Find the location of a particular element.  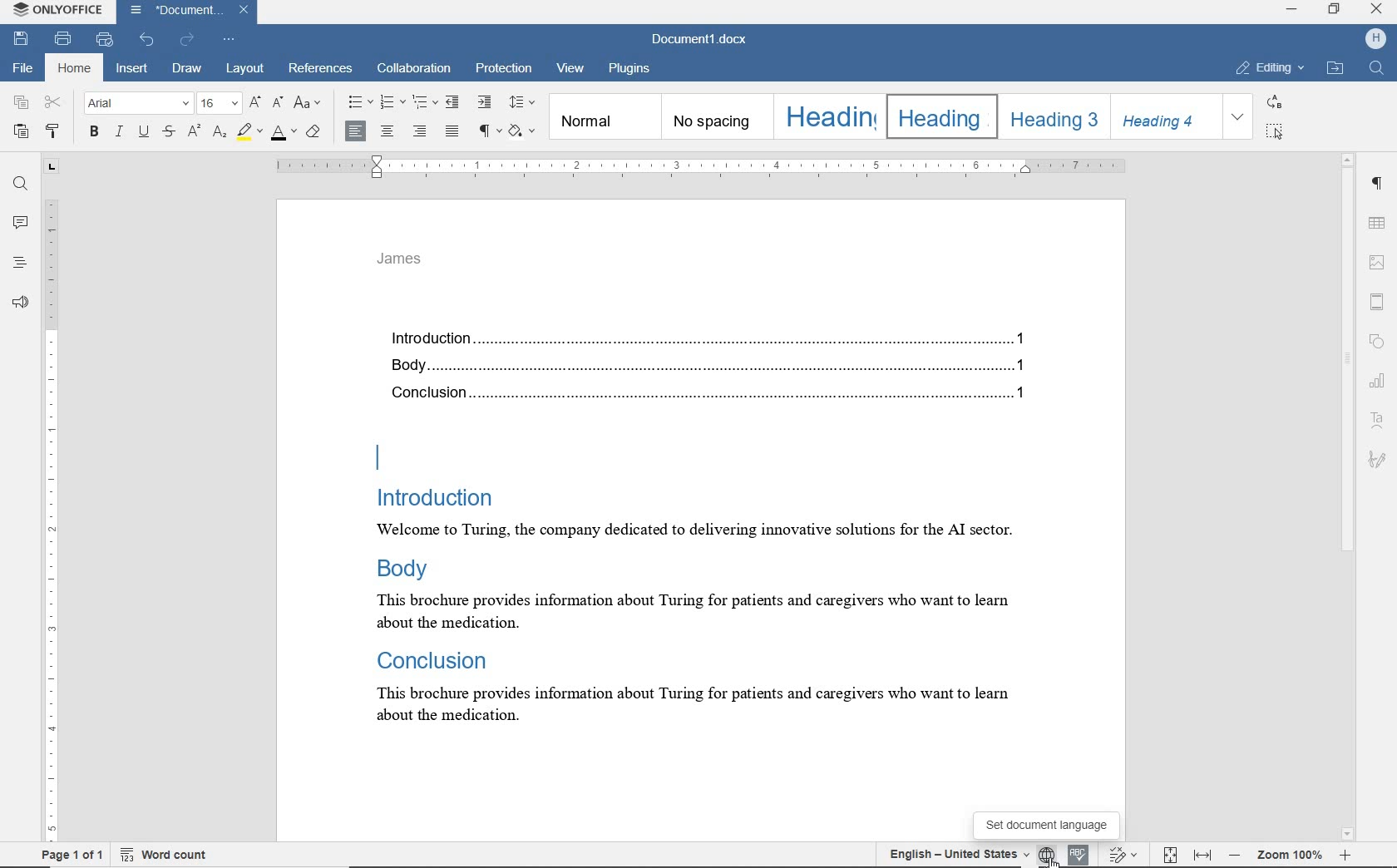

no spacing is located at coordinates (715, 117).